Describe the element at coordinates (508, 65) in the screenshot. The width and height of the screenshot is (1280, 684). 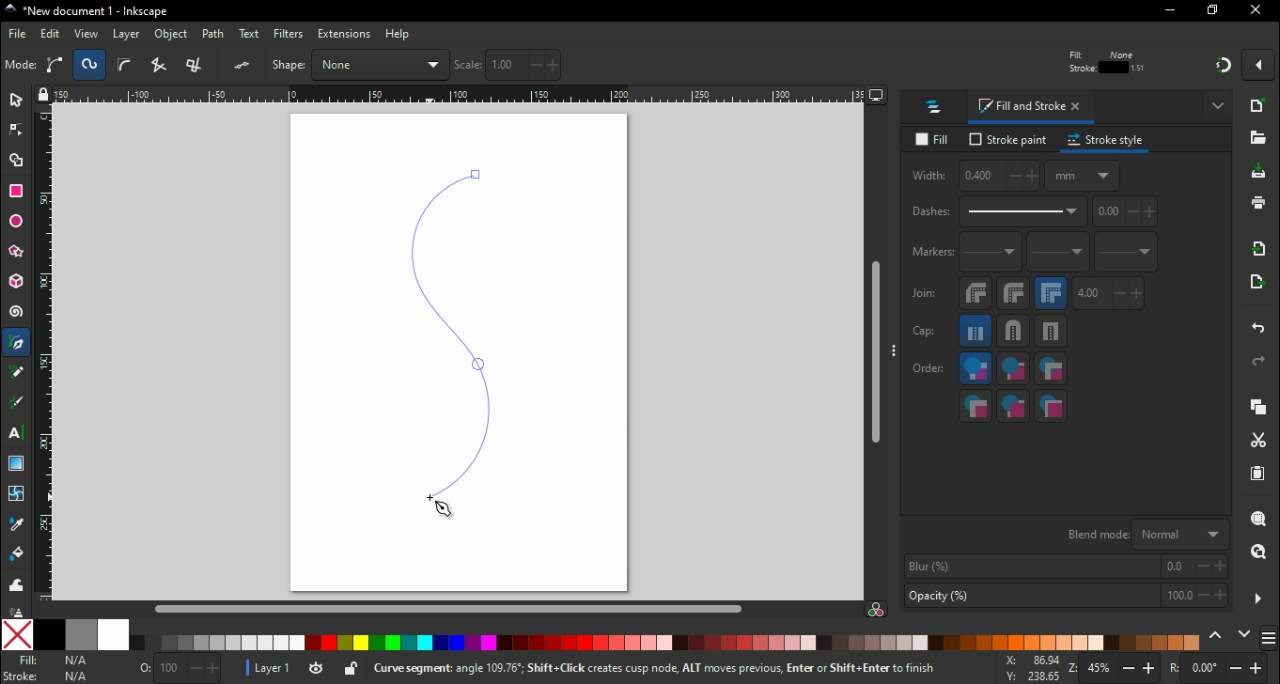
I see `scale` at that location.